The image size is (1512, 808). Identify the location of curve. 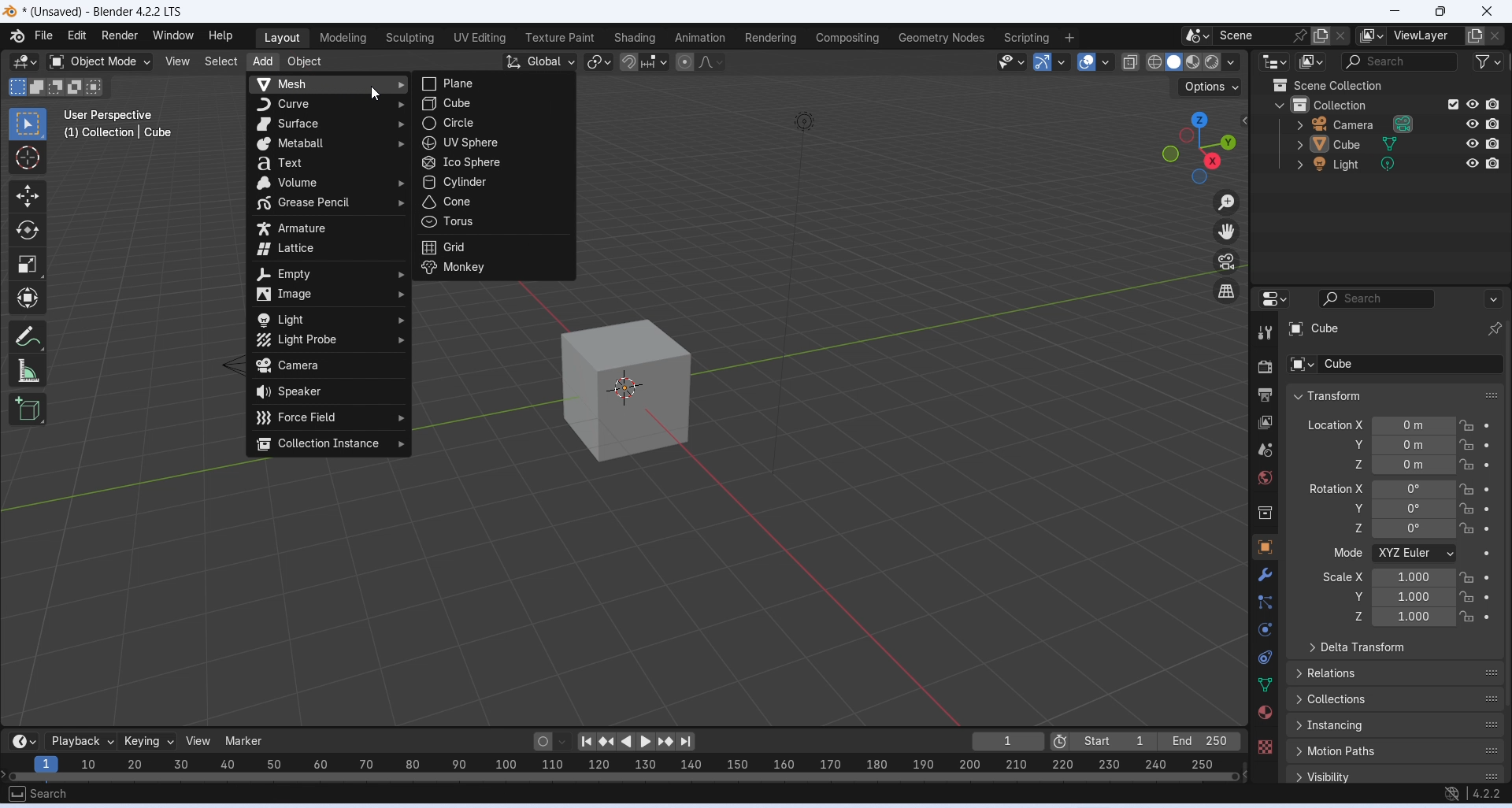
(328, 105).